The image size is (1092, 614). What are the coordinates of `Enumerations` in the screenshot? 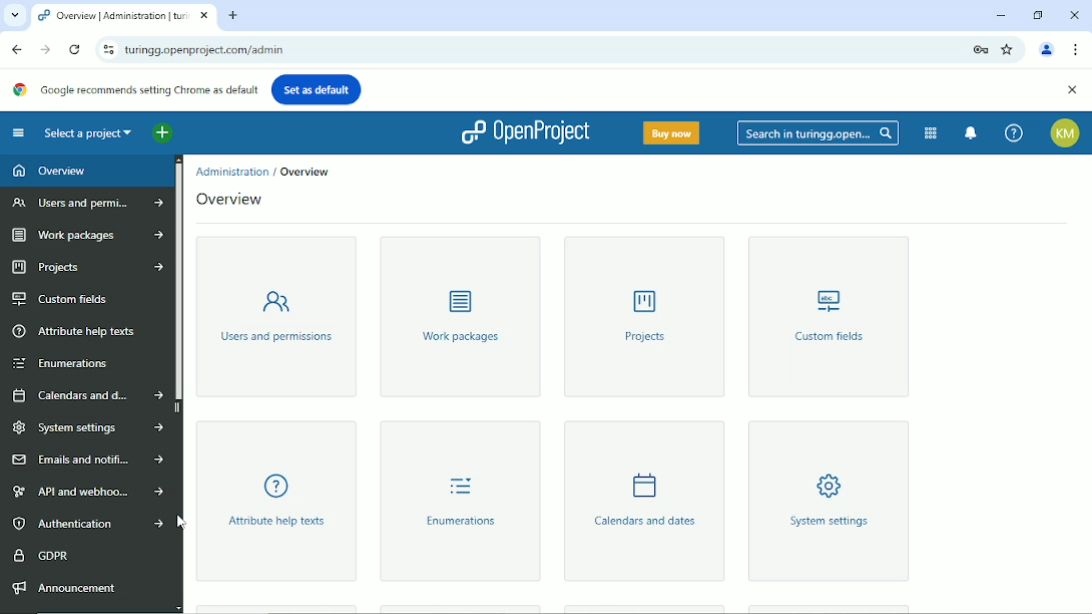 It's located at (63, 363).